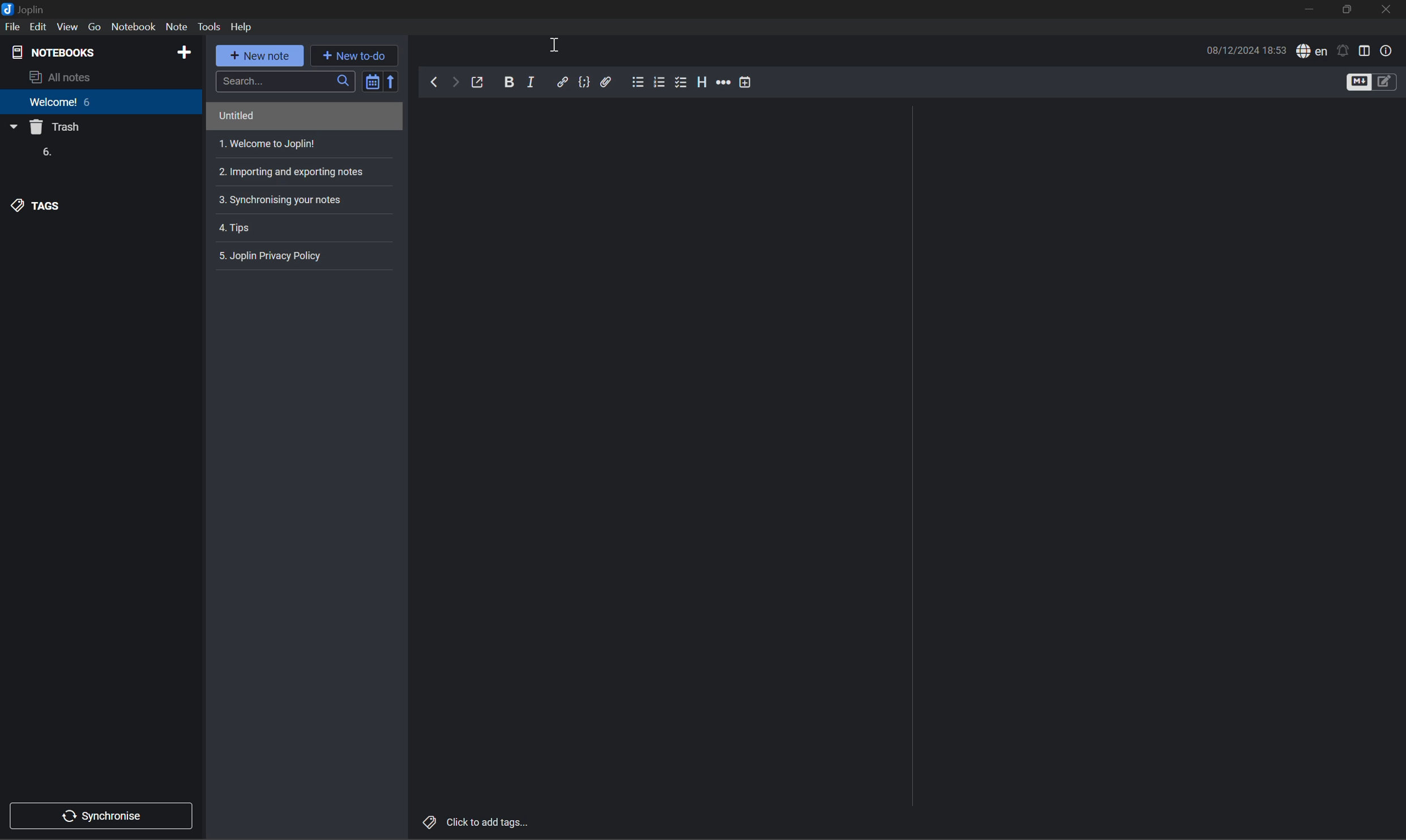 This screenshot has width=1406, height=840. I want to click on Click to add tags, so click(477, 821).